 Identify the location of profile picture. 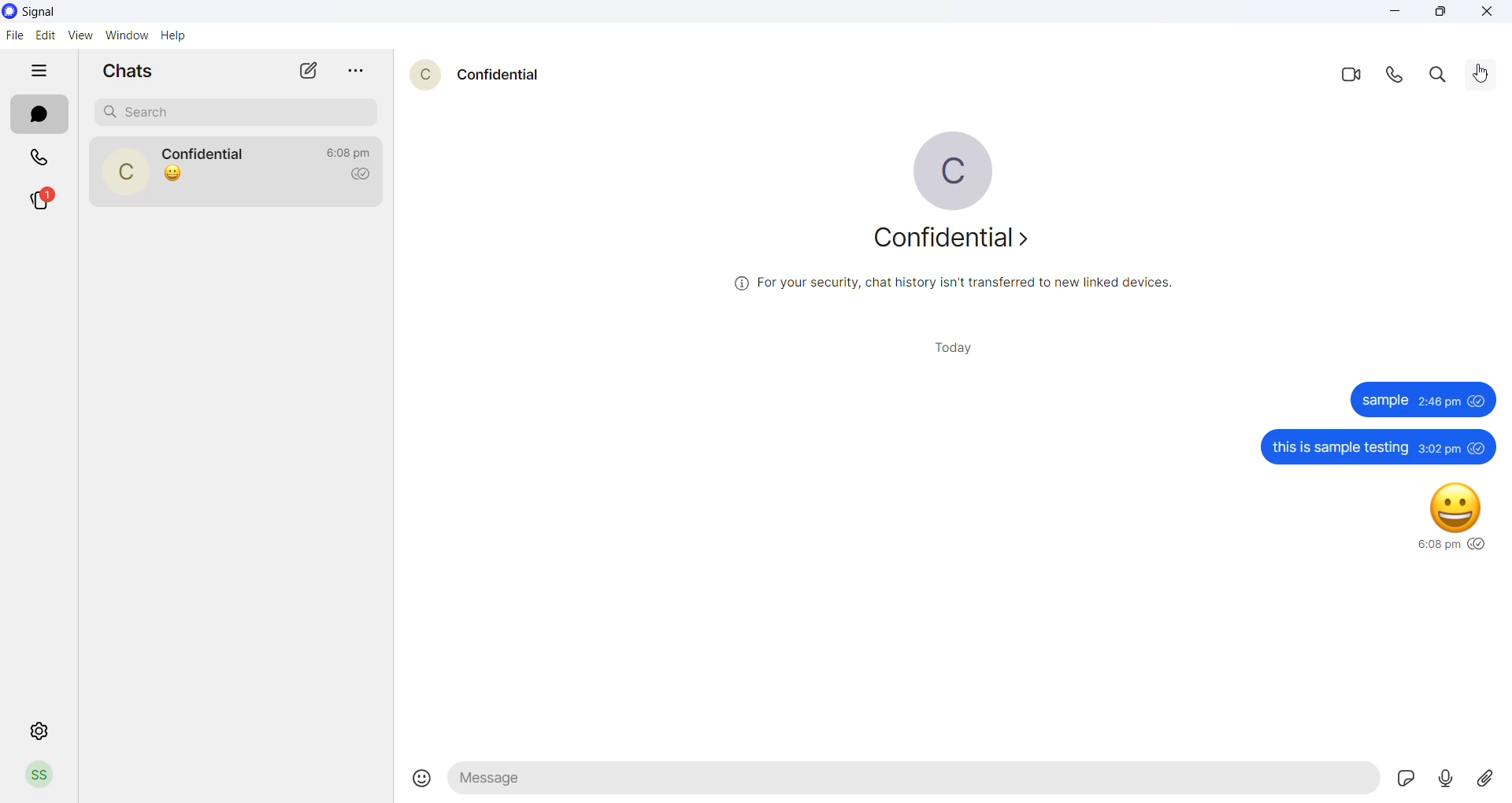
(124, 172).